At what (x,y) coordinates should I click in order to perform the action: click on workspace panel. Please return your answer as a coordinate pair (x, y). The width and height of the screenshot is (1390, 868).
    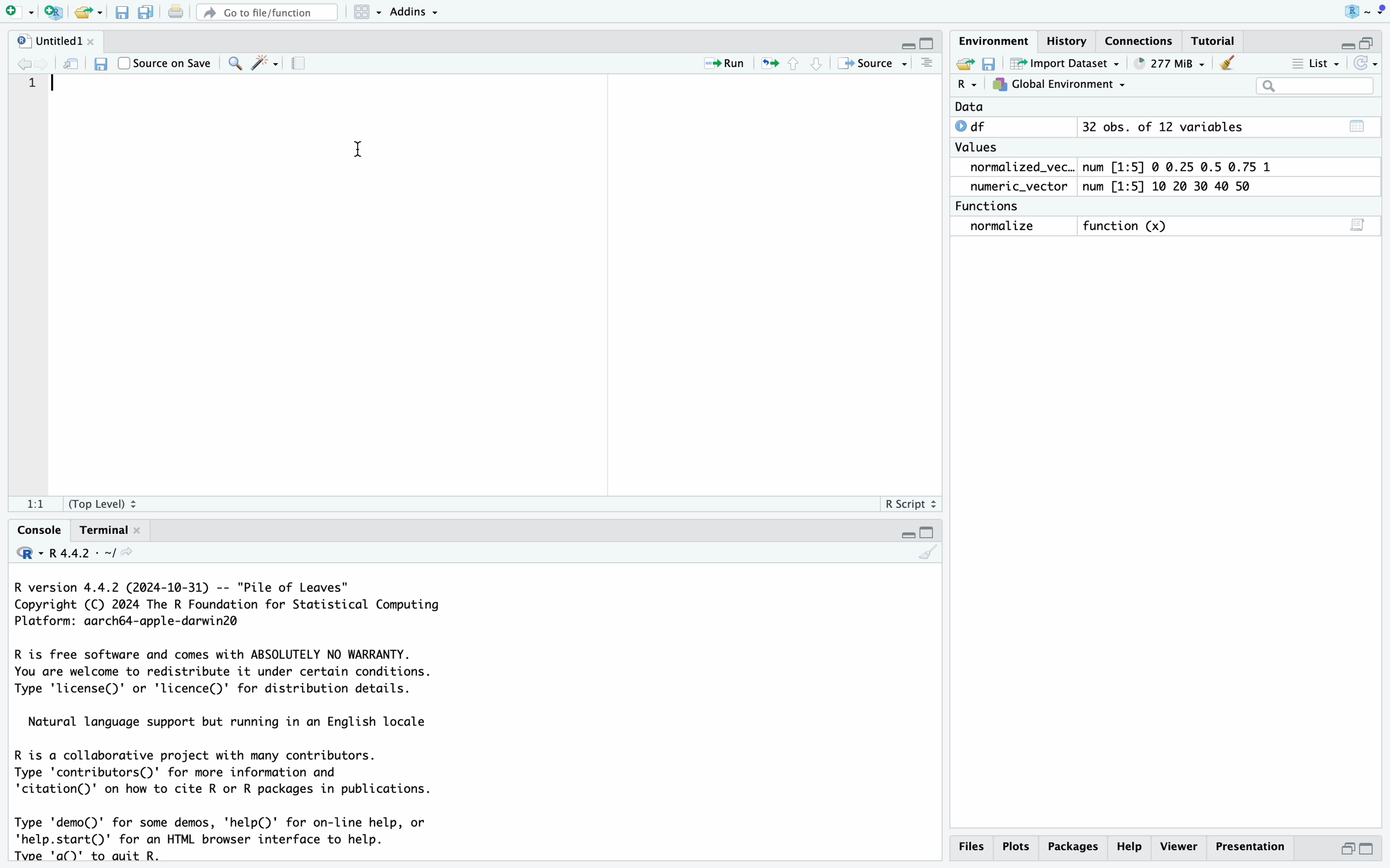
    Looking at the image, I should click on (362, 12).